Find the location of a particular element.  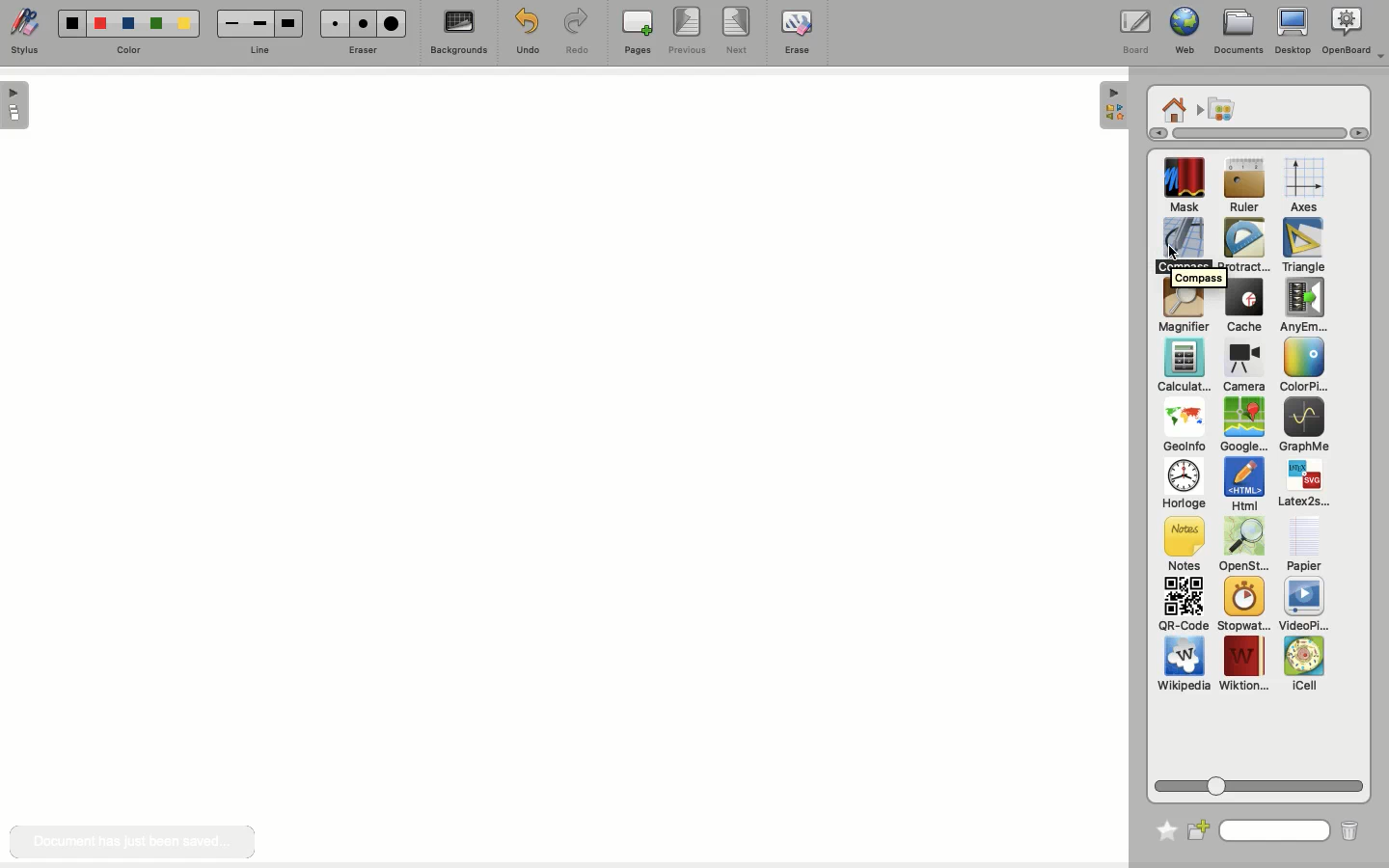

Favorite is located at coordinates (1161, 827).